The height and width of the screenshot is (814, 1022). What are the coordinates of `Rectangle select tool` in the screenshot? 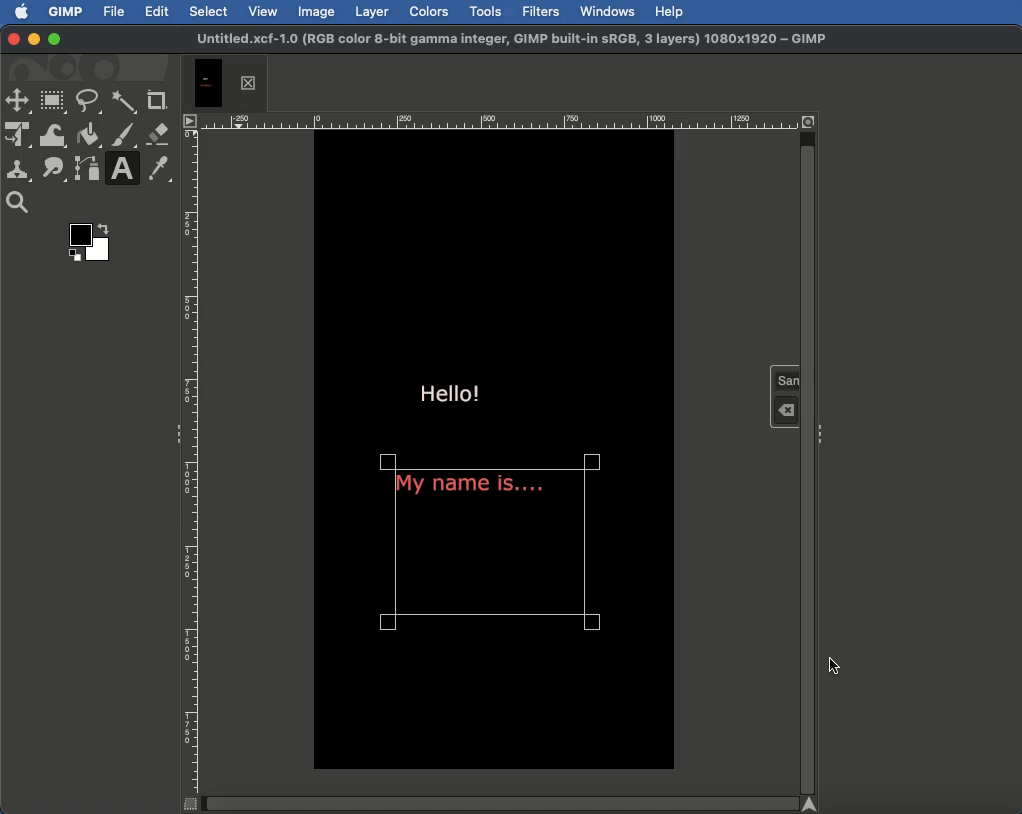 It's located at (55, 101).